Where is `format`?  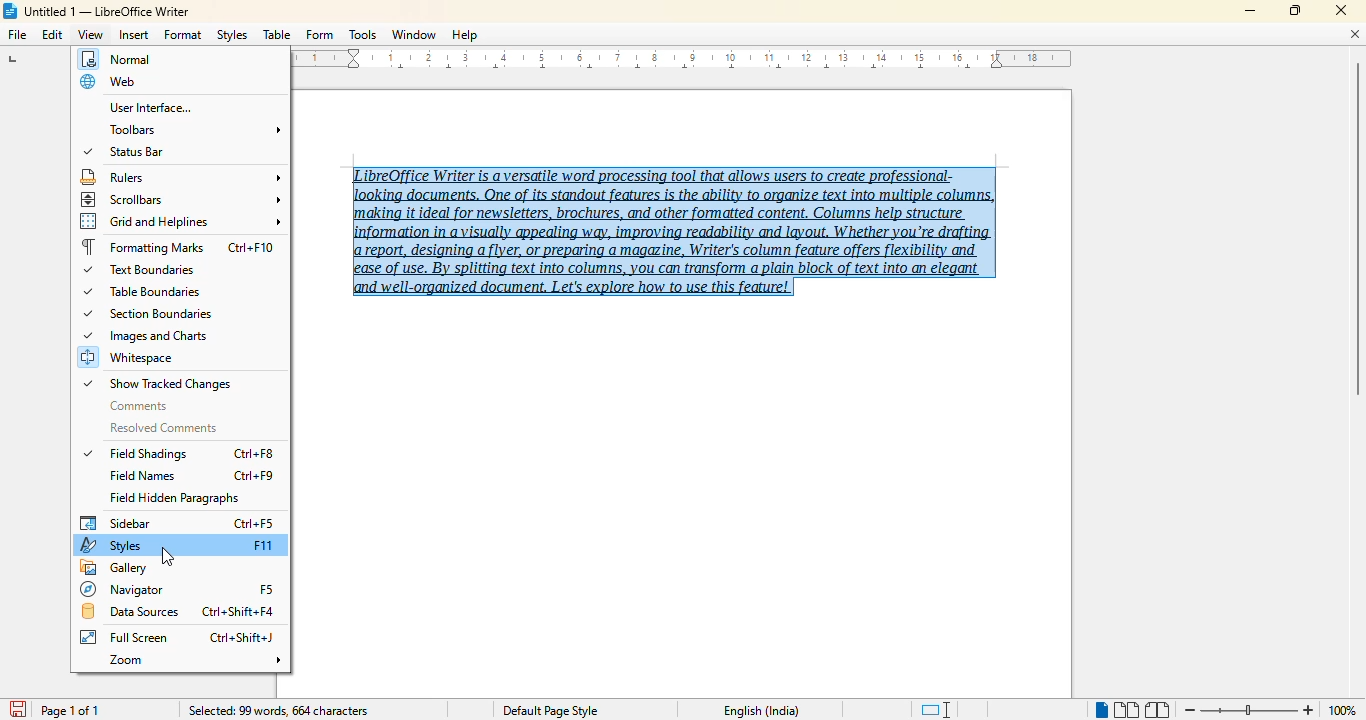 format is located at coordinates (183, 34).